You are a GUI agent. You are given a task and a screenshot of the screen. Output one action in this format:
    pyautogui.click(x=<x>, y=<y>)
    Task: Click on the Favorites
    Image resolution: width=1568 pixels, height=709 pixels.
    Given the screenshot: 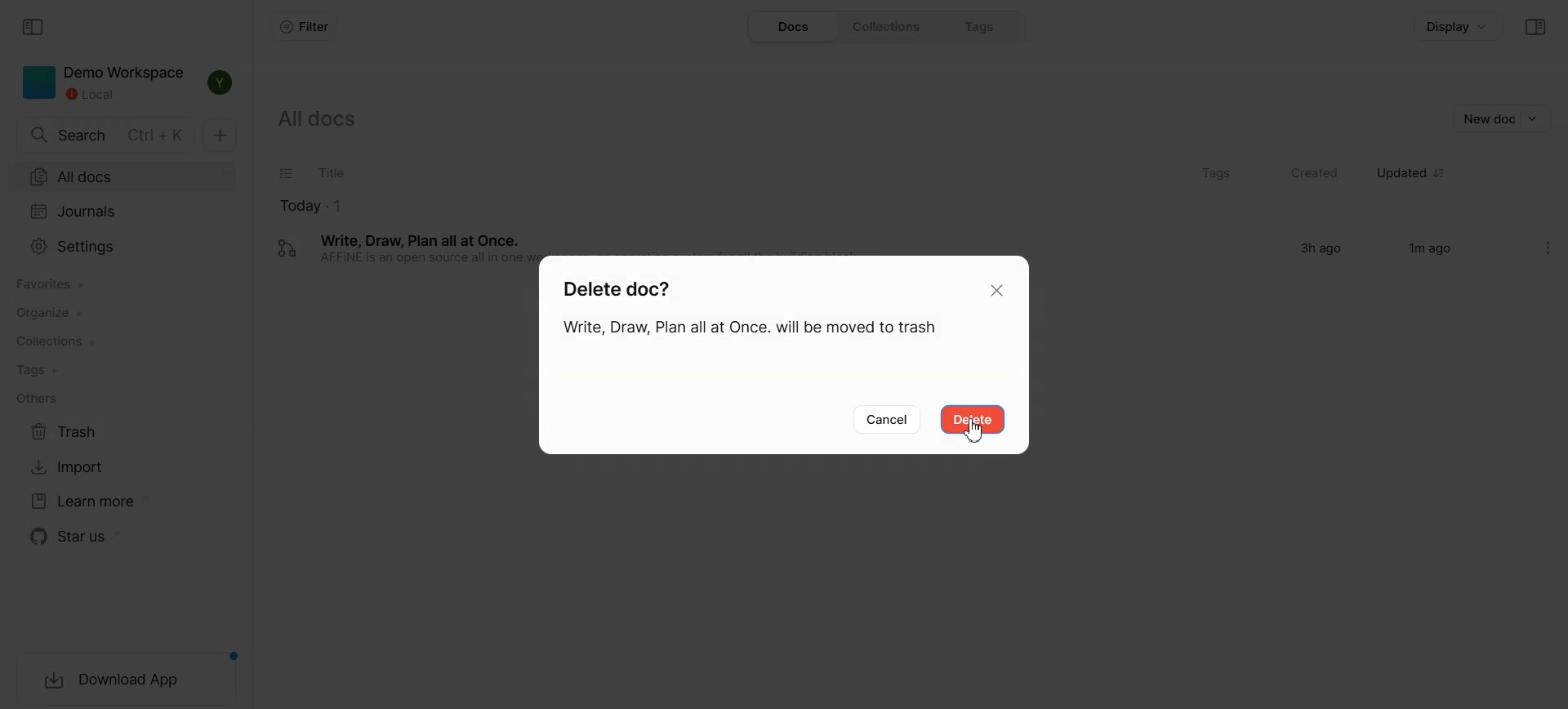 What is the action you would take?
    pyautogui.click(x=122, y=283)
    